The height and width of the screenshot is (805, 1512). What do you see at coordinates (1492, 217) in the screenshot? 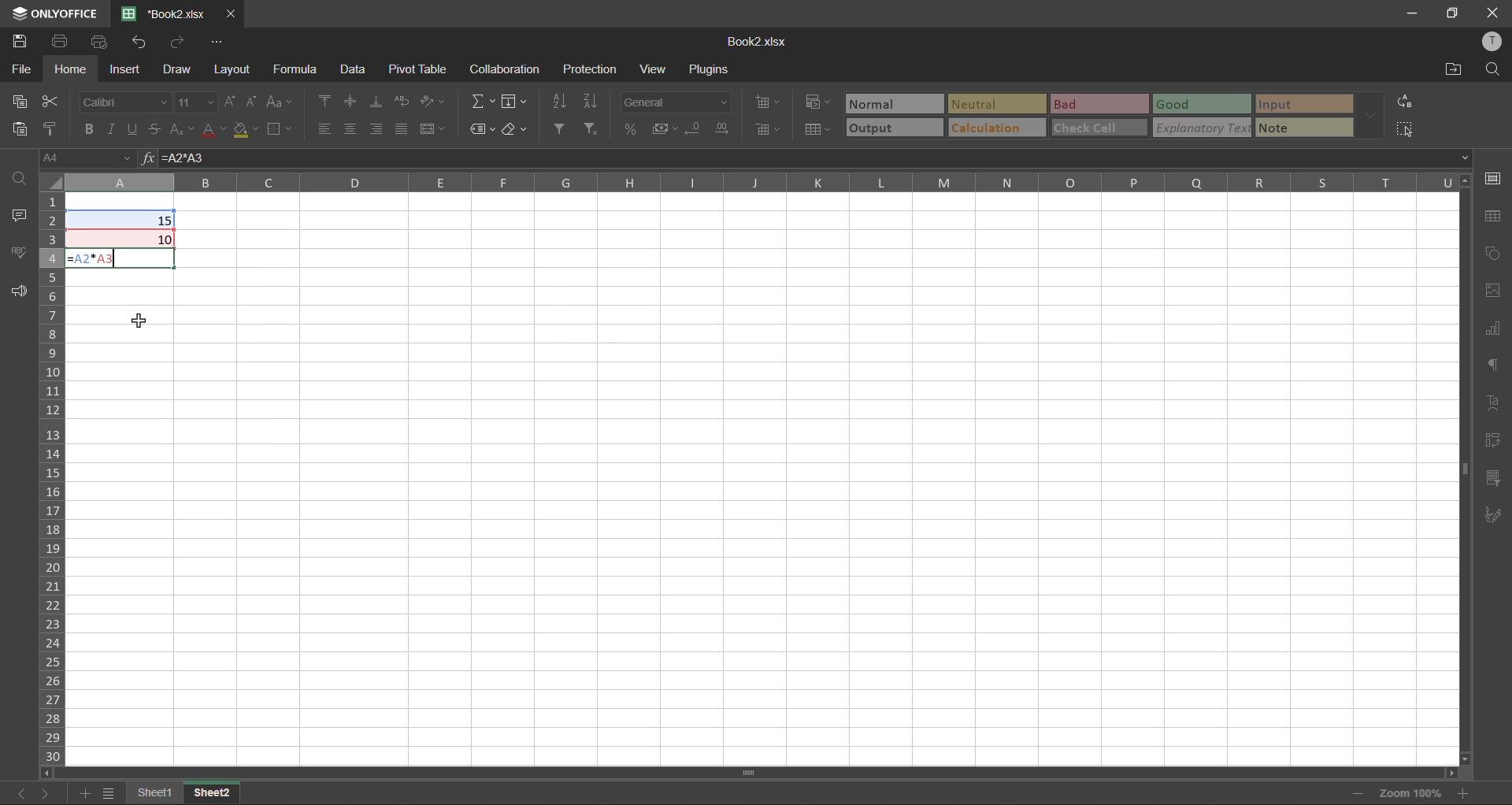
I see `table` at bounding box center [1492, 217].